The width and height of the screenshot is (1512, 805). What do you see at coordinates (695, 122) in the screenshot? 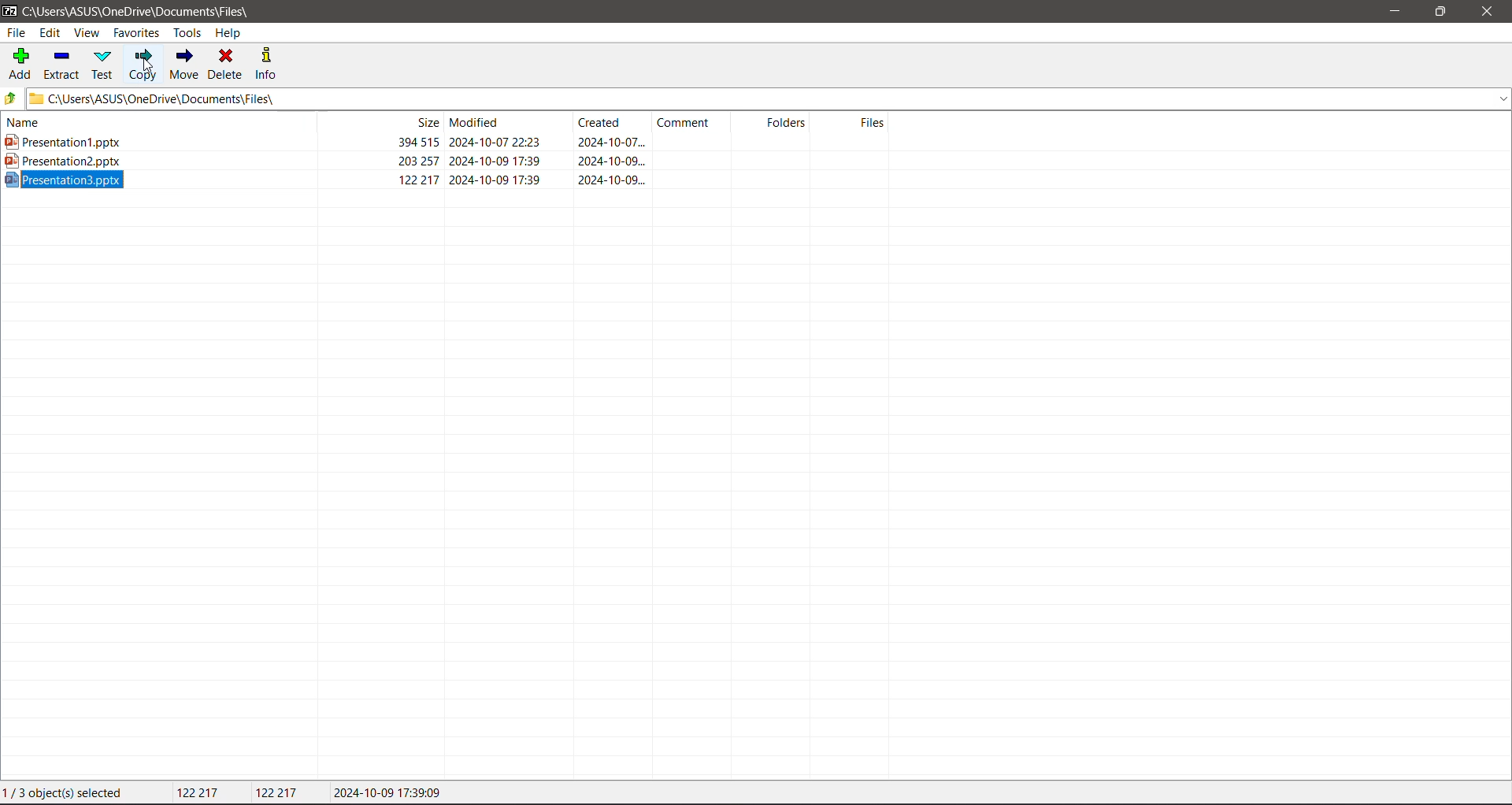
I see `Comment` at bounding box center [695, 122].